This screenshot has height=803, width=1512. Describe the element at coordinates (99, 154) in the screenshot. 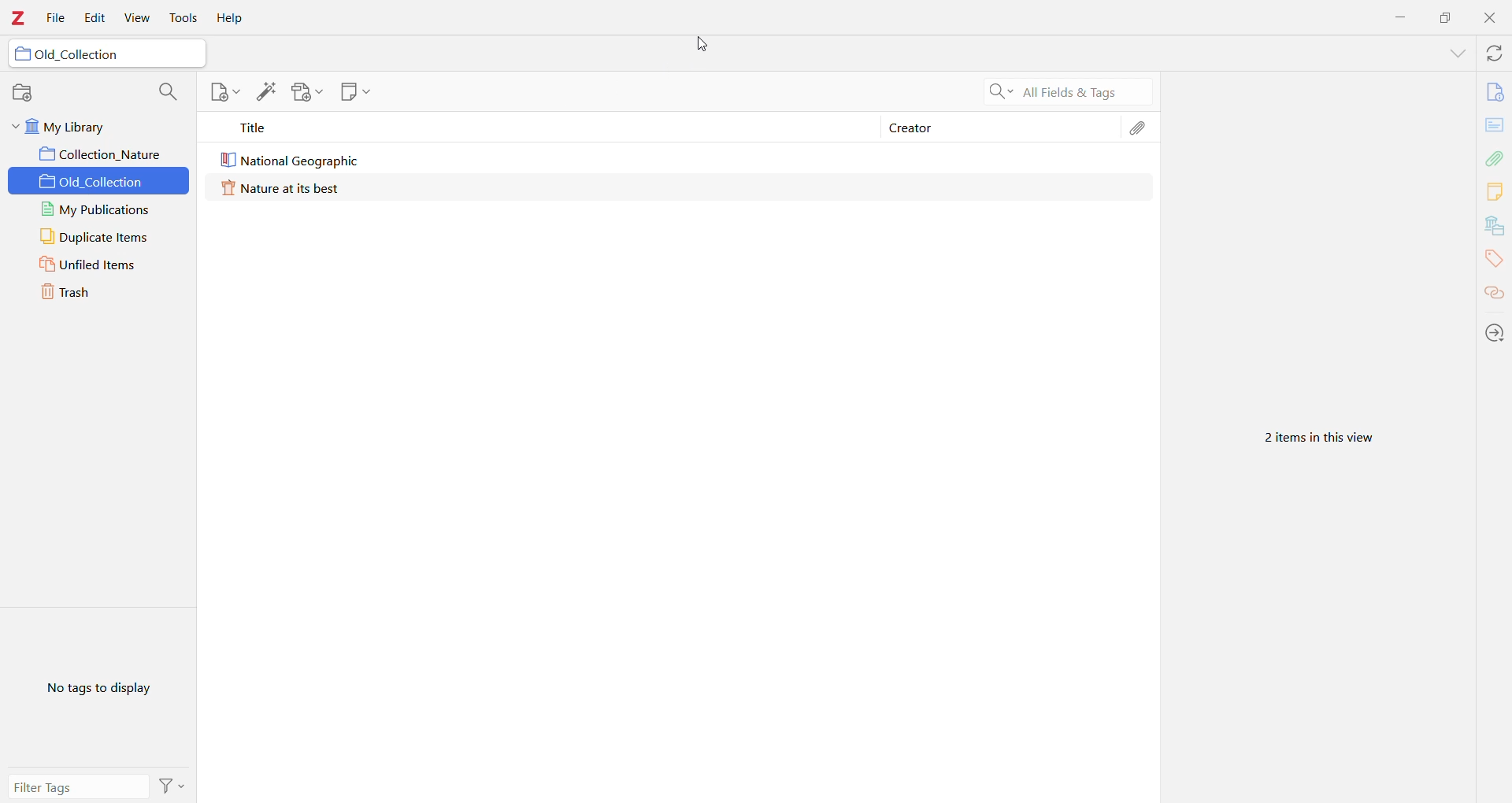

I see `Collection_Nature` at that location.